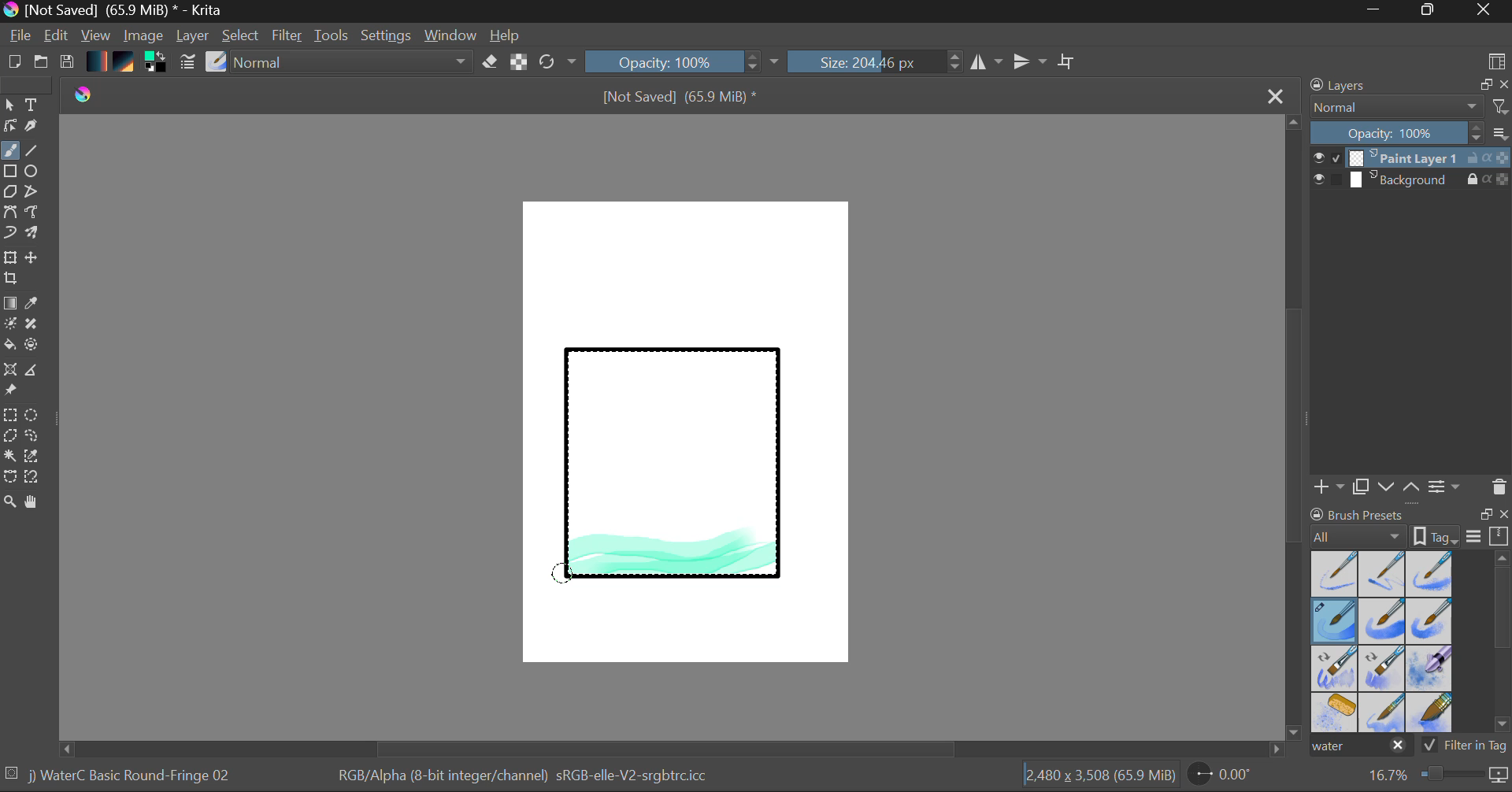 This screenshot has width=1512, height=792. Describe the element at coordinates (66, 63) in the screenshot. I see `Save` at that location.